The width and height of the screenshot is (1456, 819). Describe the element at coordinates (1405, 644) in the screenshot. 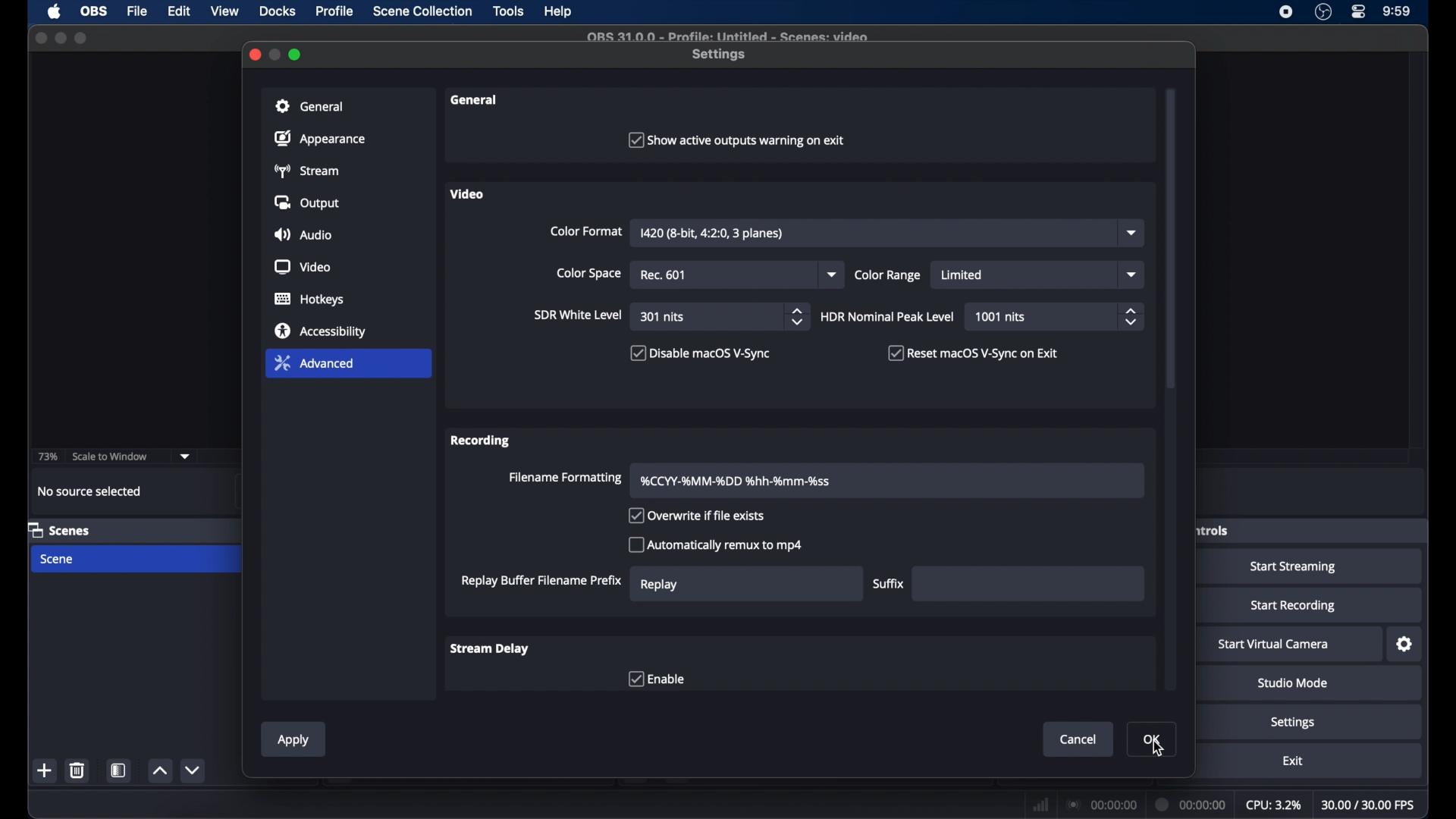

I see `settings` at that location.